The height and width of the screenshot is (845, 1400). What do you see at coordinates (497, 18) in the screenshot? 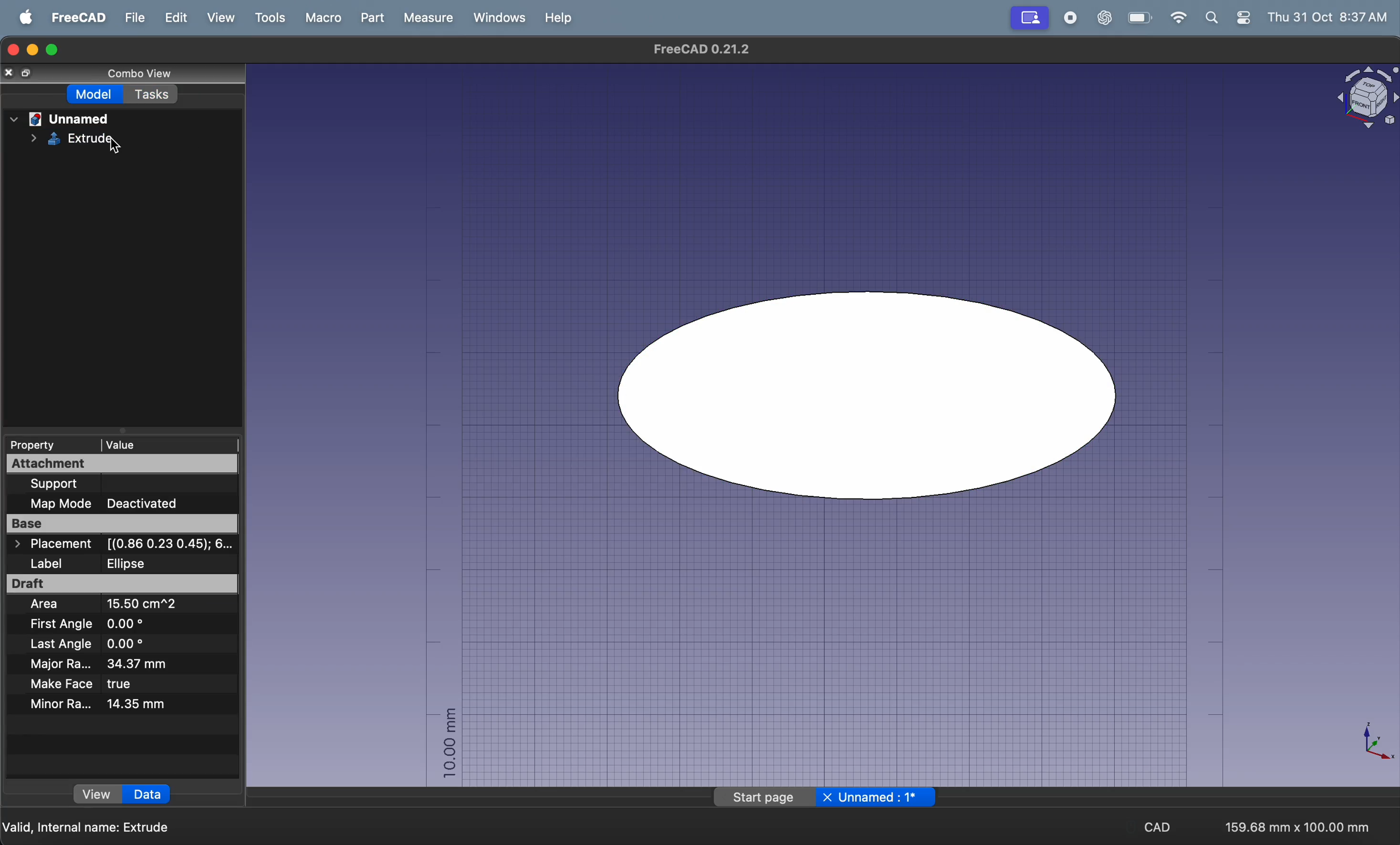
I see `windows` at bounding box center [497, 18].